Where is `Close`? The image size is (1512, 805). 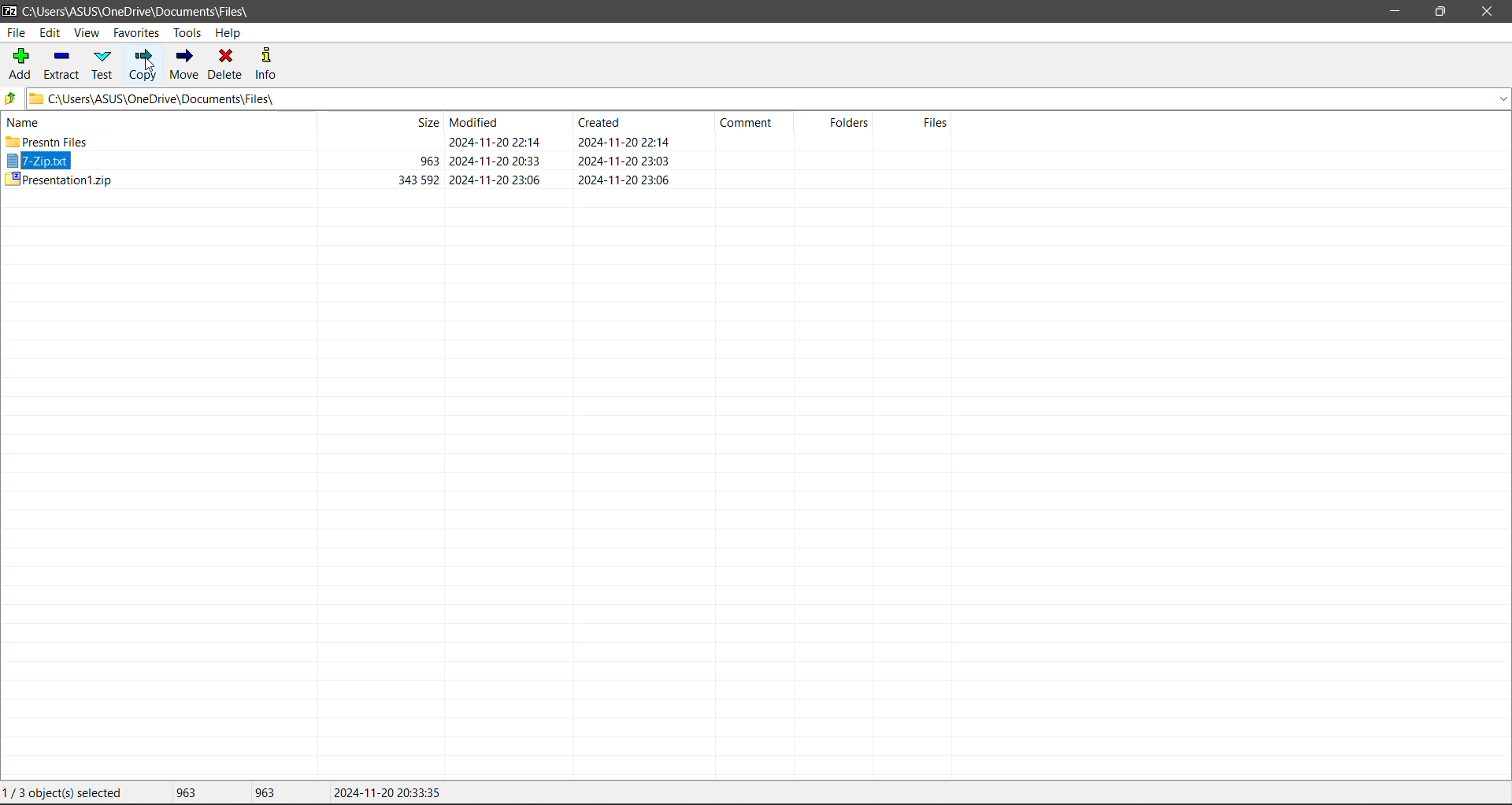
Close is located at coordinates (1488, 12).